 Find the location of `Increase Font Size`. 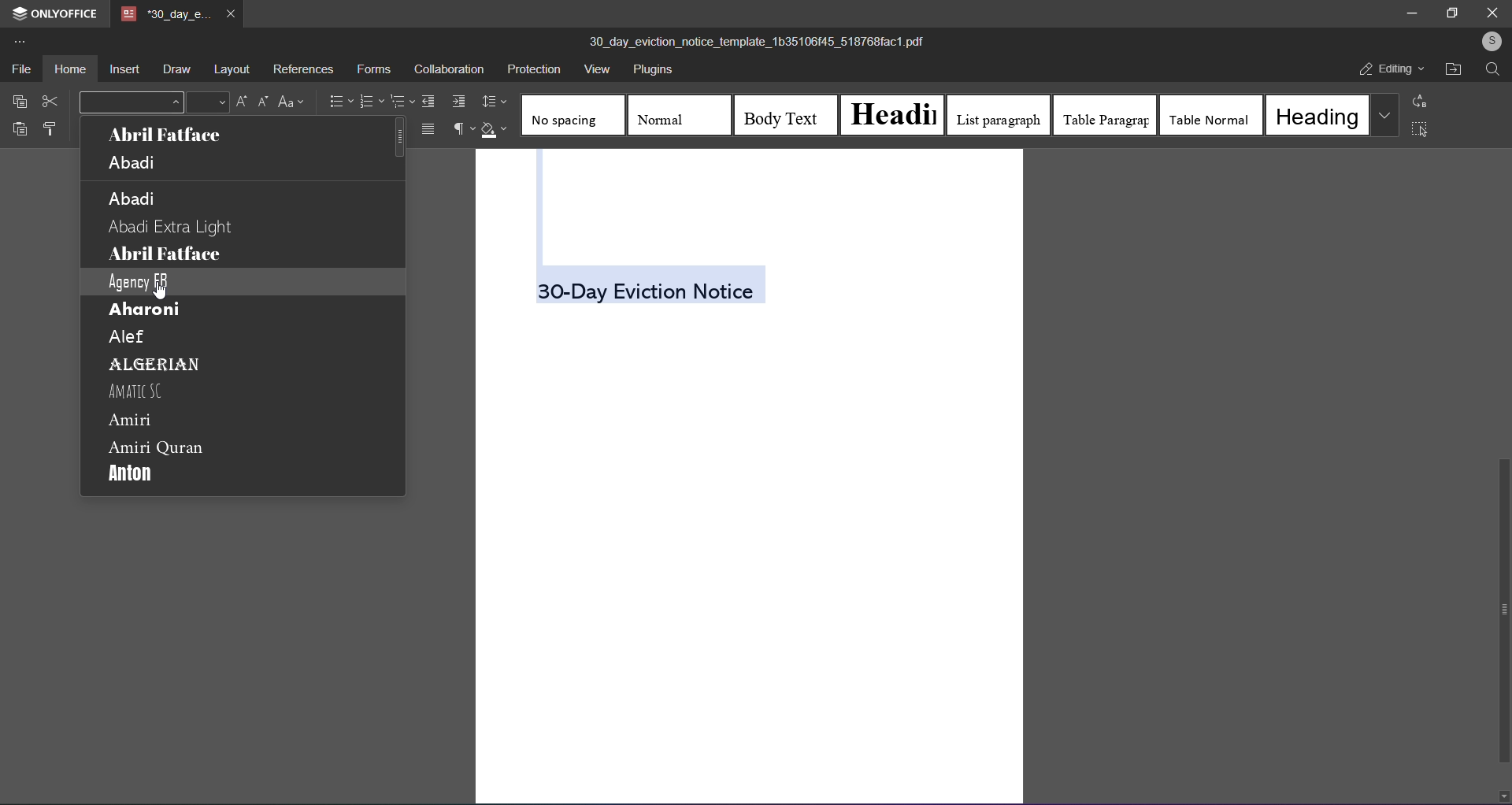

Increase Font Size is located at coordinates (241, 101).